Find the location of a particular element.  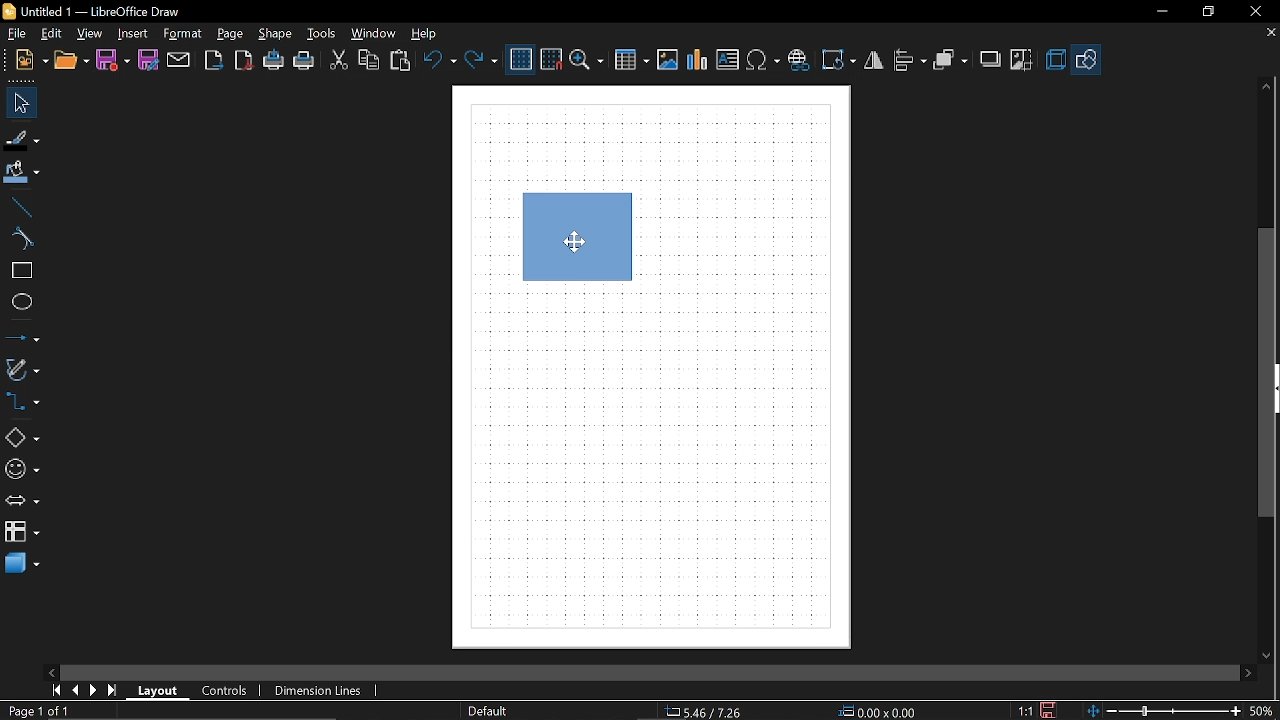

zoom is located at coordinates (587, 61).